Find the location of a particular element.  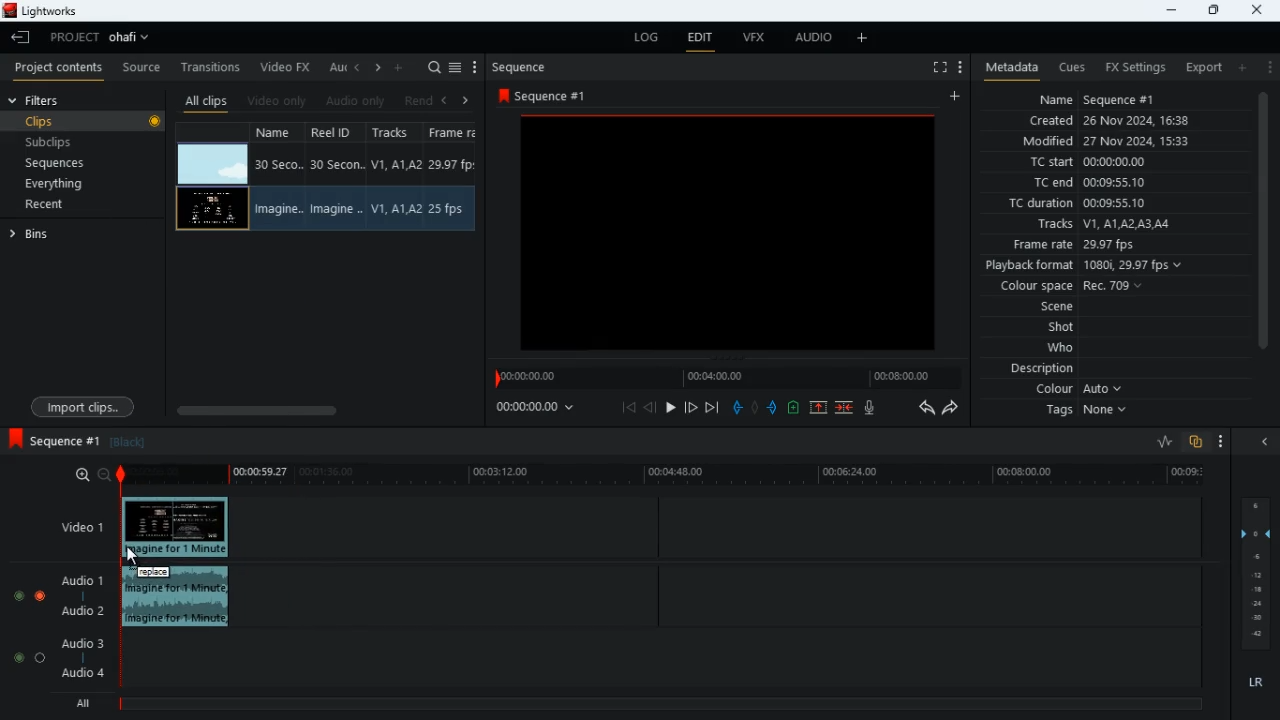

search is located at coordinates (434, 67).